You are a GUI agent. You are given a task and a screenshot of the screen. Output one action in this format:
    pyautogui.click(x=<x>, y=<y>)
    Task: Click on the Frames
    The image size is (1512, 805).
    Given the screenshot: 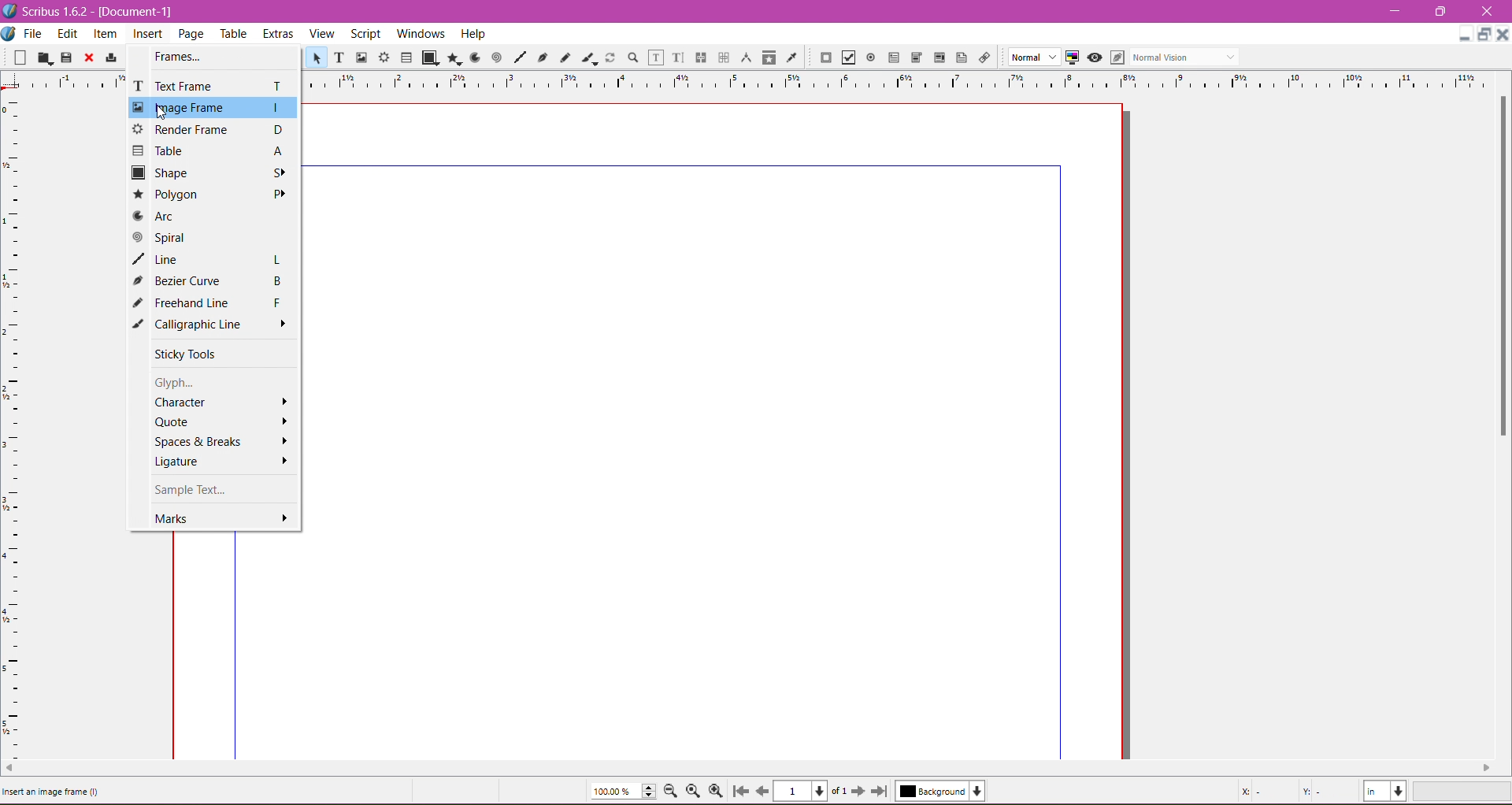 What is the action you would take?
    pyautogui.click(x=183, y=57)
    